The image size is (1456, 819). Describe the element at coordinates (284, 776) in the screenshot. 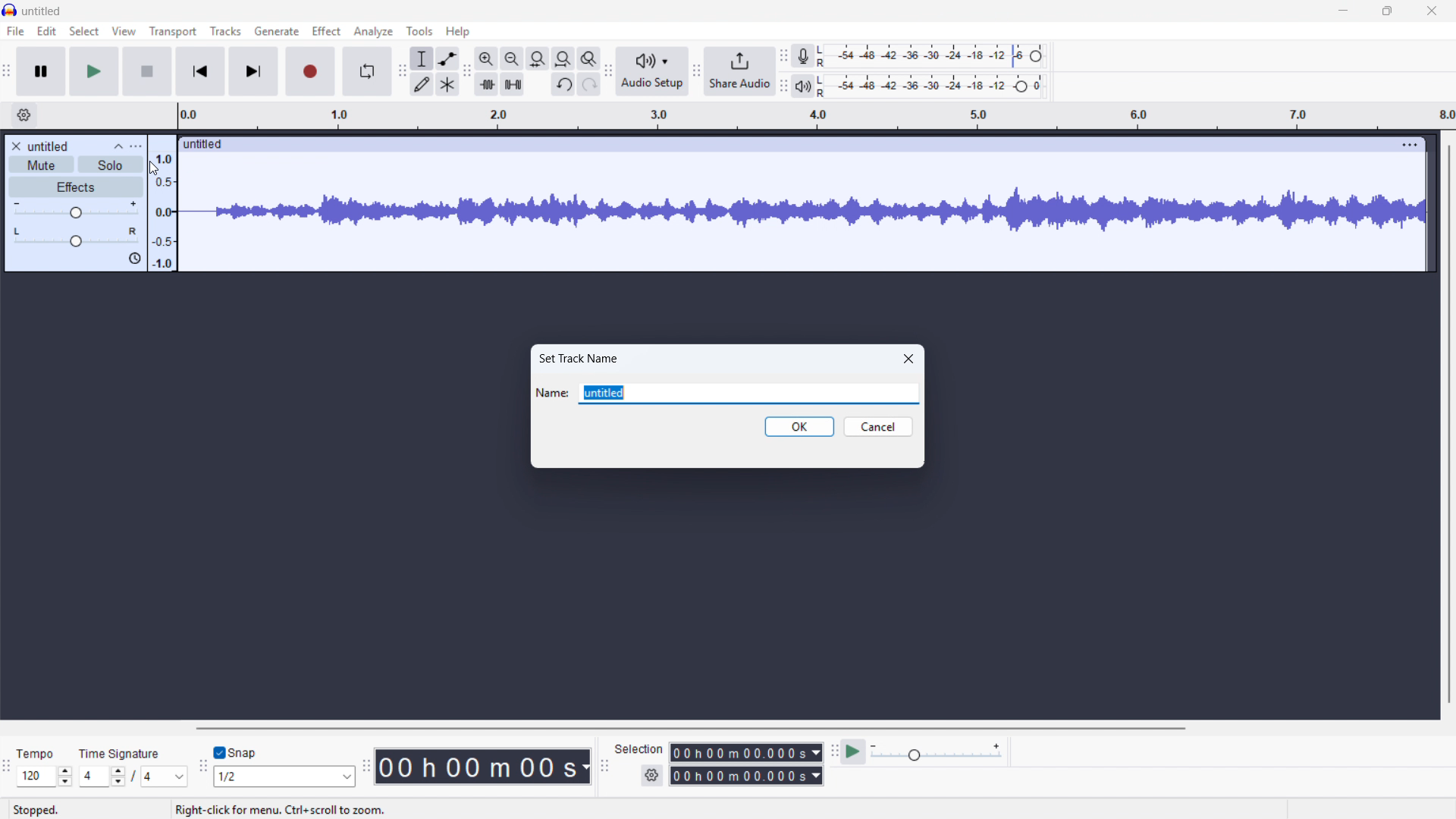

I see `Set snapping ` at that location.